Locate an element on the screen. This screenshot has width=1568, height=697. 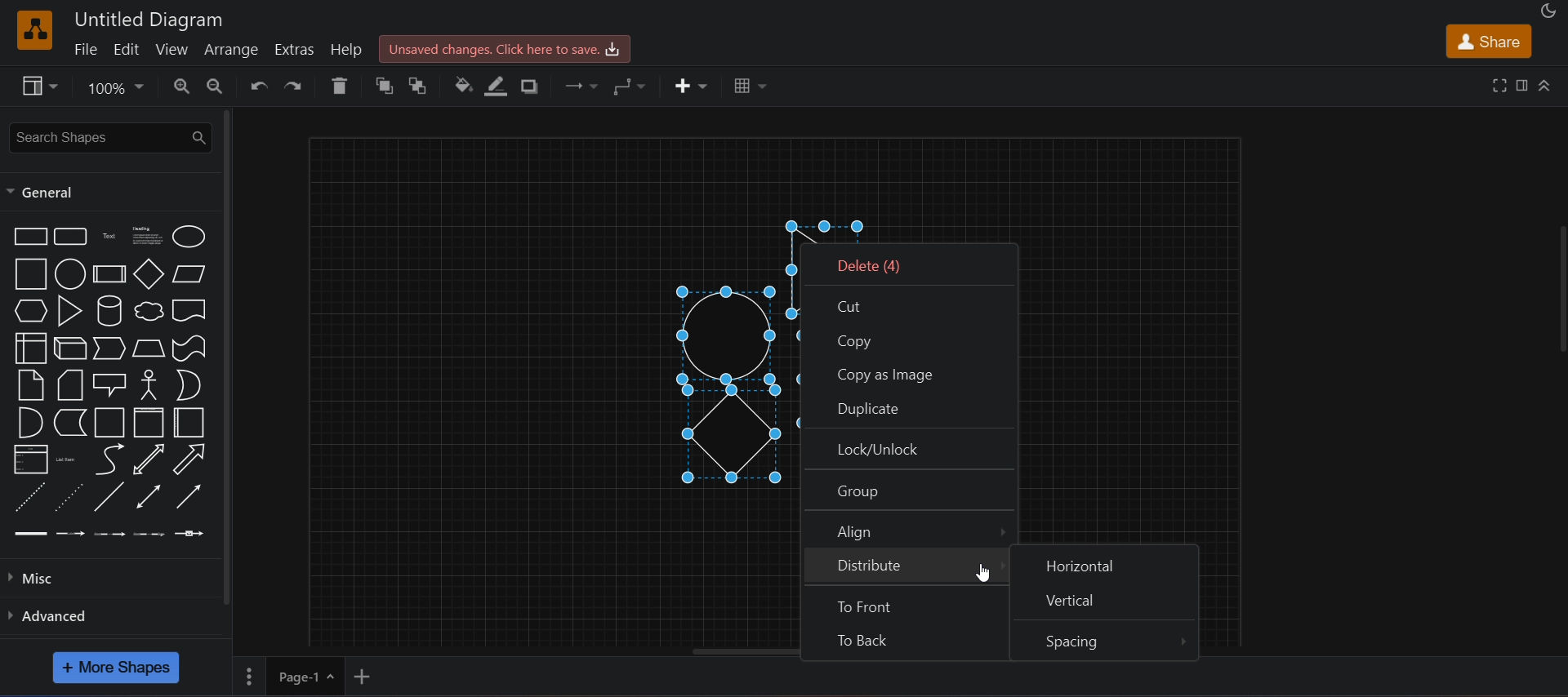
insert is located at coordinates (689, 84).